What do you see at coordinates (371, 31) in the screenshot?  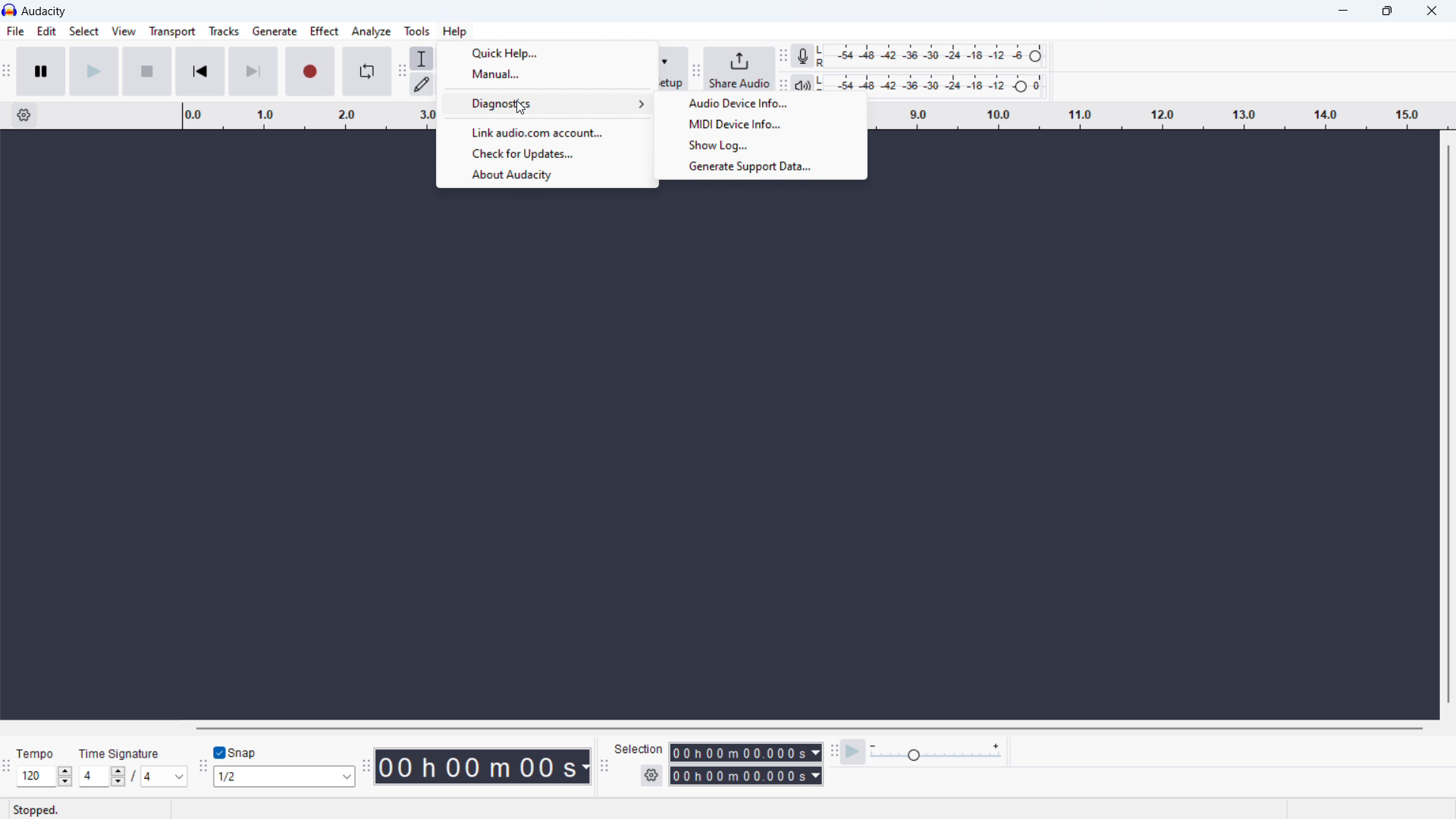 I see `analyze` at bounding box center [371, 31].